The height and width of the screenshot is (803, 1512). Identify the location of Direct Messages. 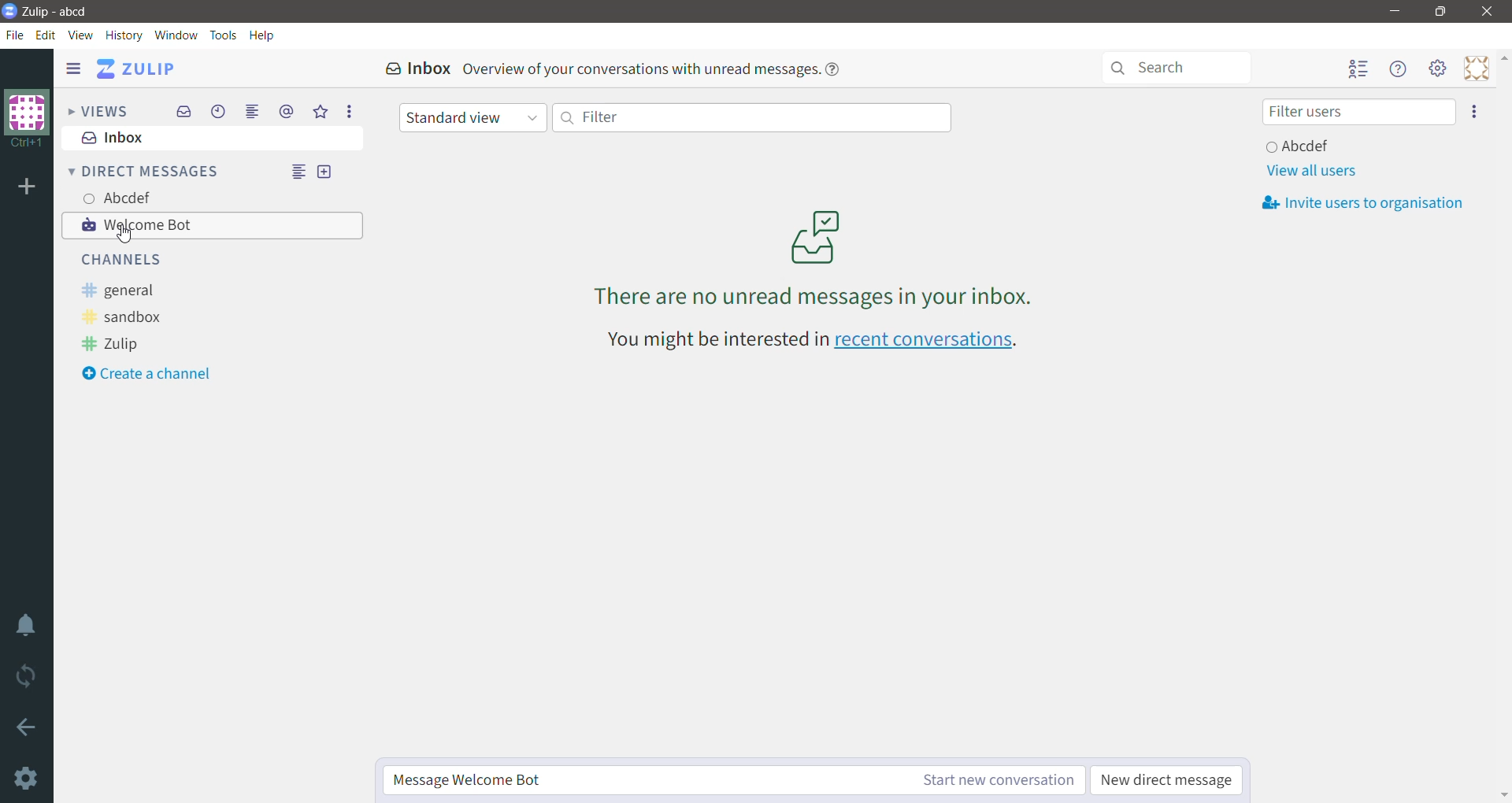
(143, 170).